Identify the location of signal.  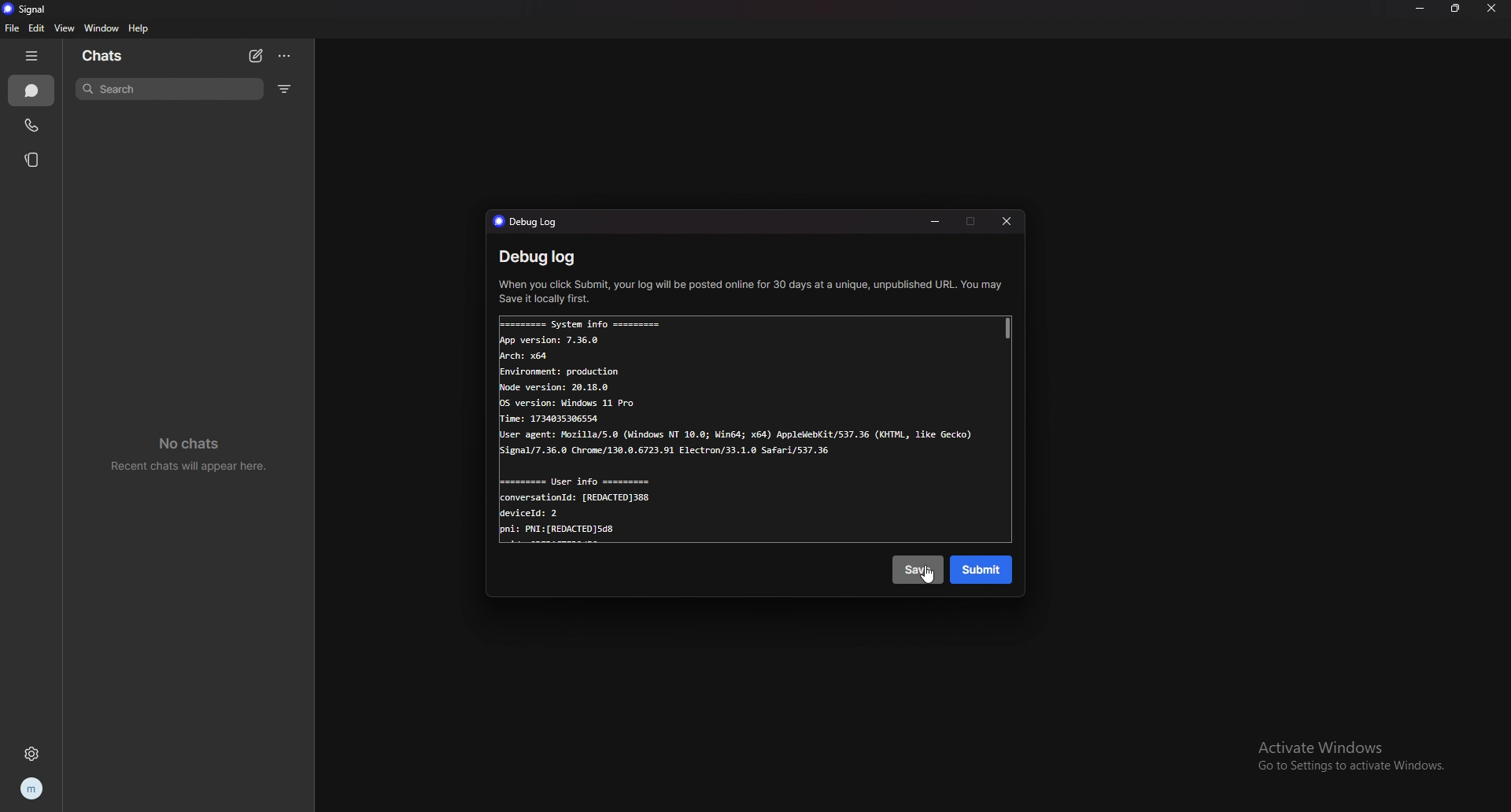
(30, 9).